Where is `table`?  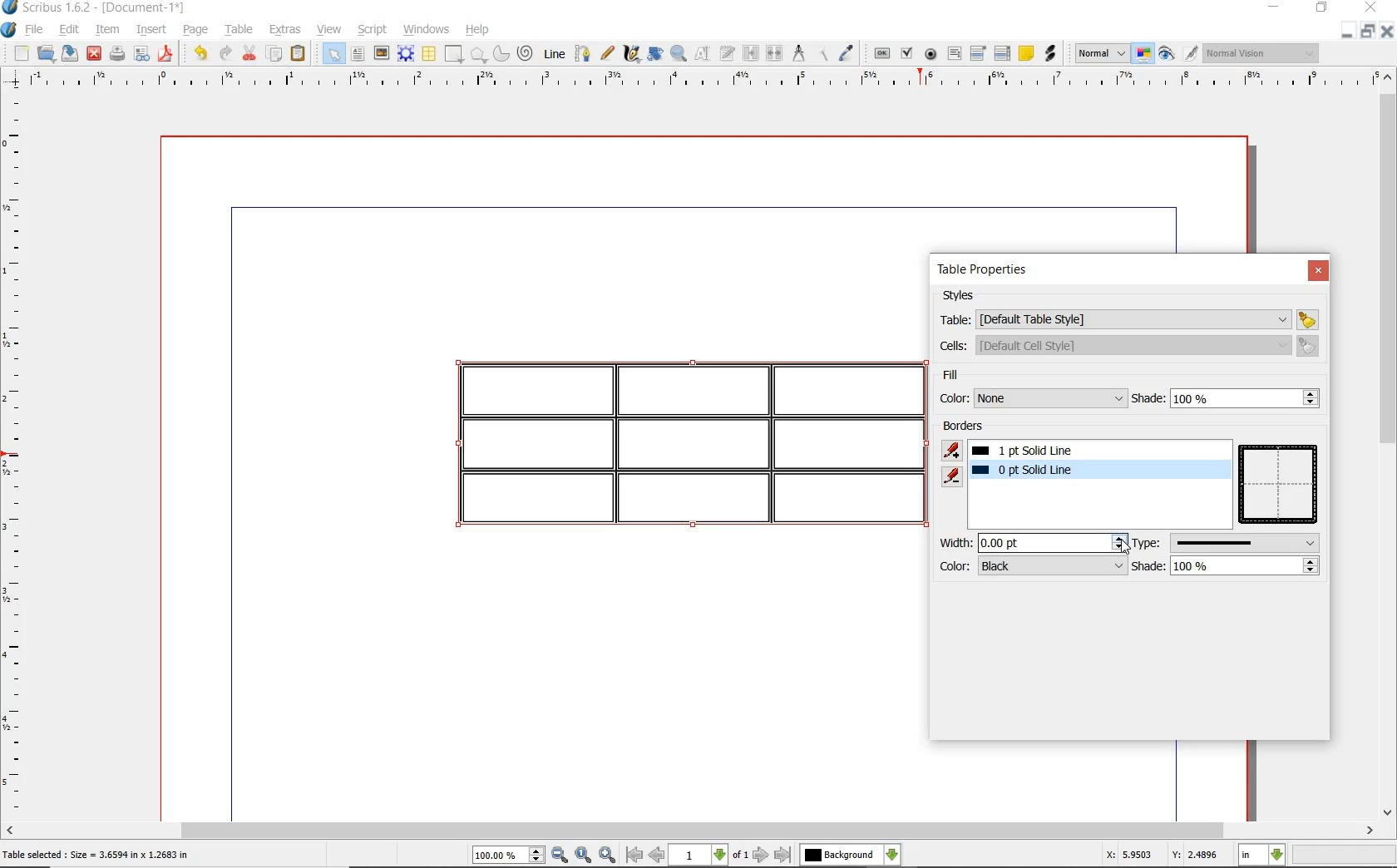 table is located at coordinates (1128, 318).